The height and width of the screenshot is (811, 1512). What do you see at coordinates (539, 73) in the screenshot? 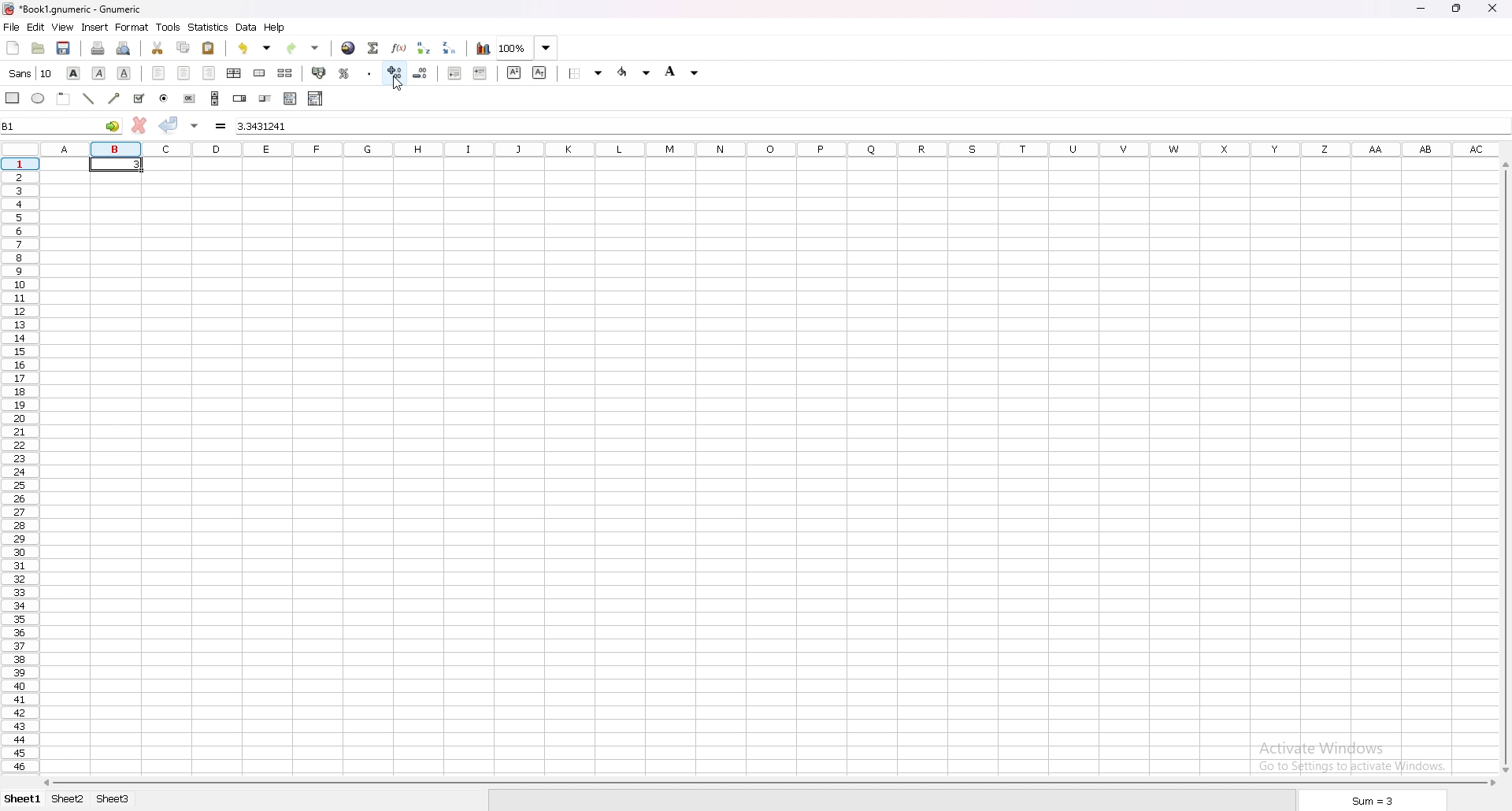
I see `subscript` at bounding box center [539, 73].